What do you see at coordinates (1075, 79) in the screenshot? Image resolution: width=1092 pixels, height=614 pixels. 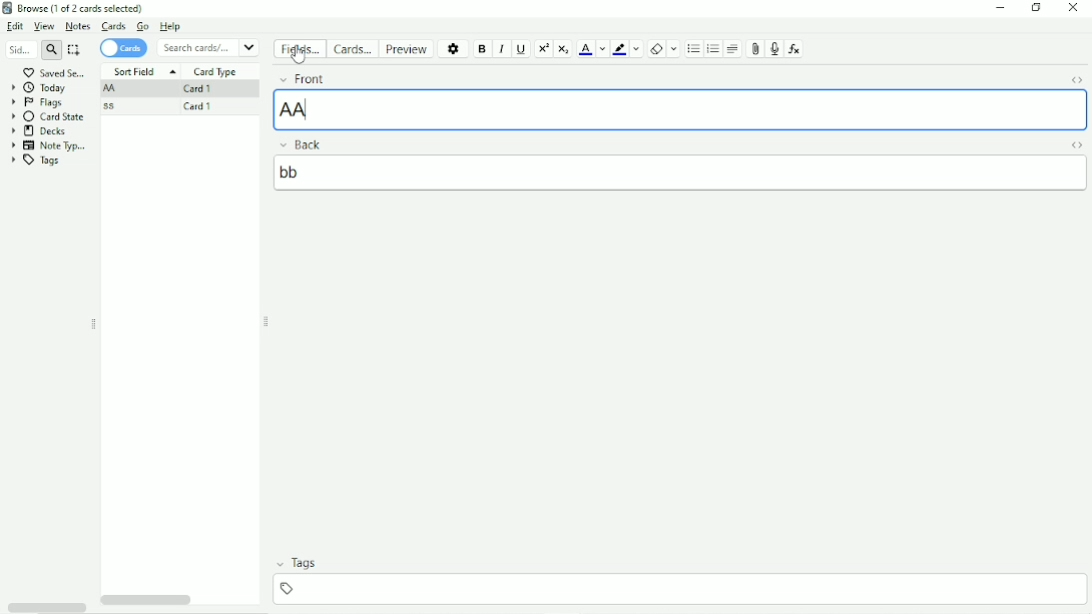 I see `Toggle HTML Editor` at bounding box center [1075, 79].